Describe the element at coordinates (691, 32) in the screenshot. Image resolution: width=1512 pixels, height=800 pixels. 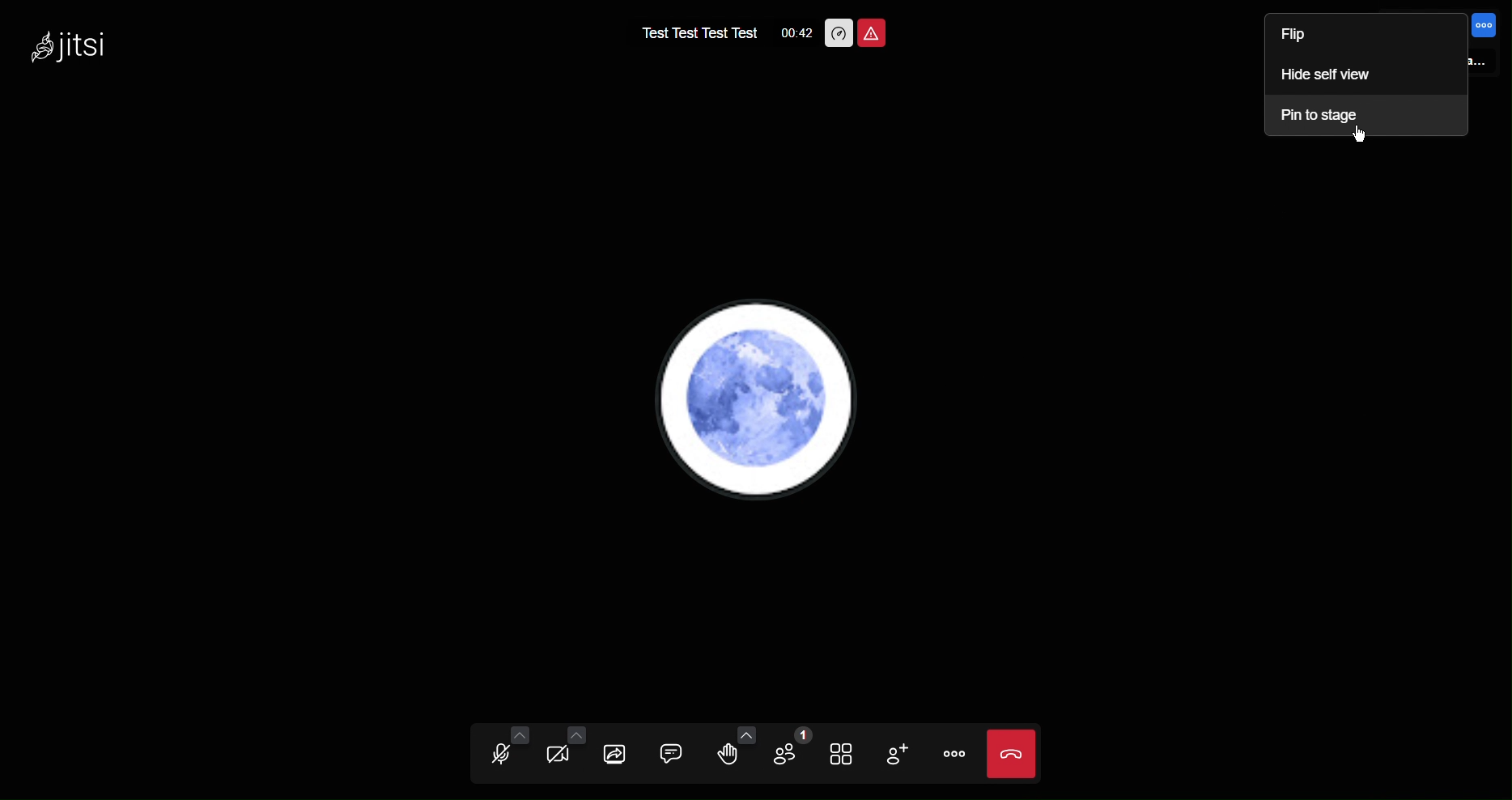
I see `Test Test Test Test` at that location.